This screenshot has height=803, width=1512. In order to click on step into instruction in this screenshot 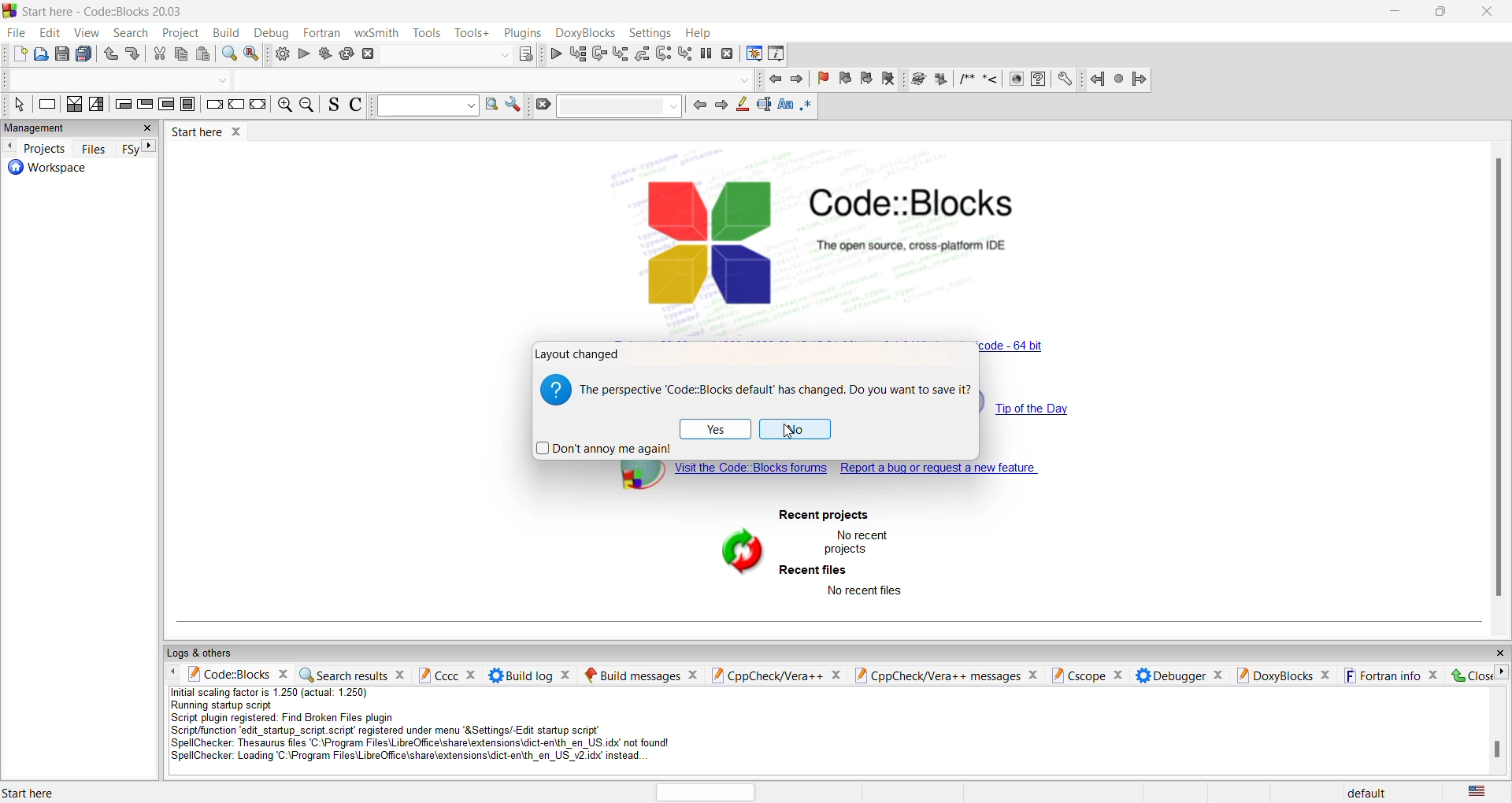, I will do `click(687, 54)`.